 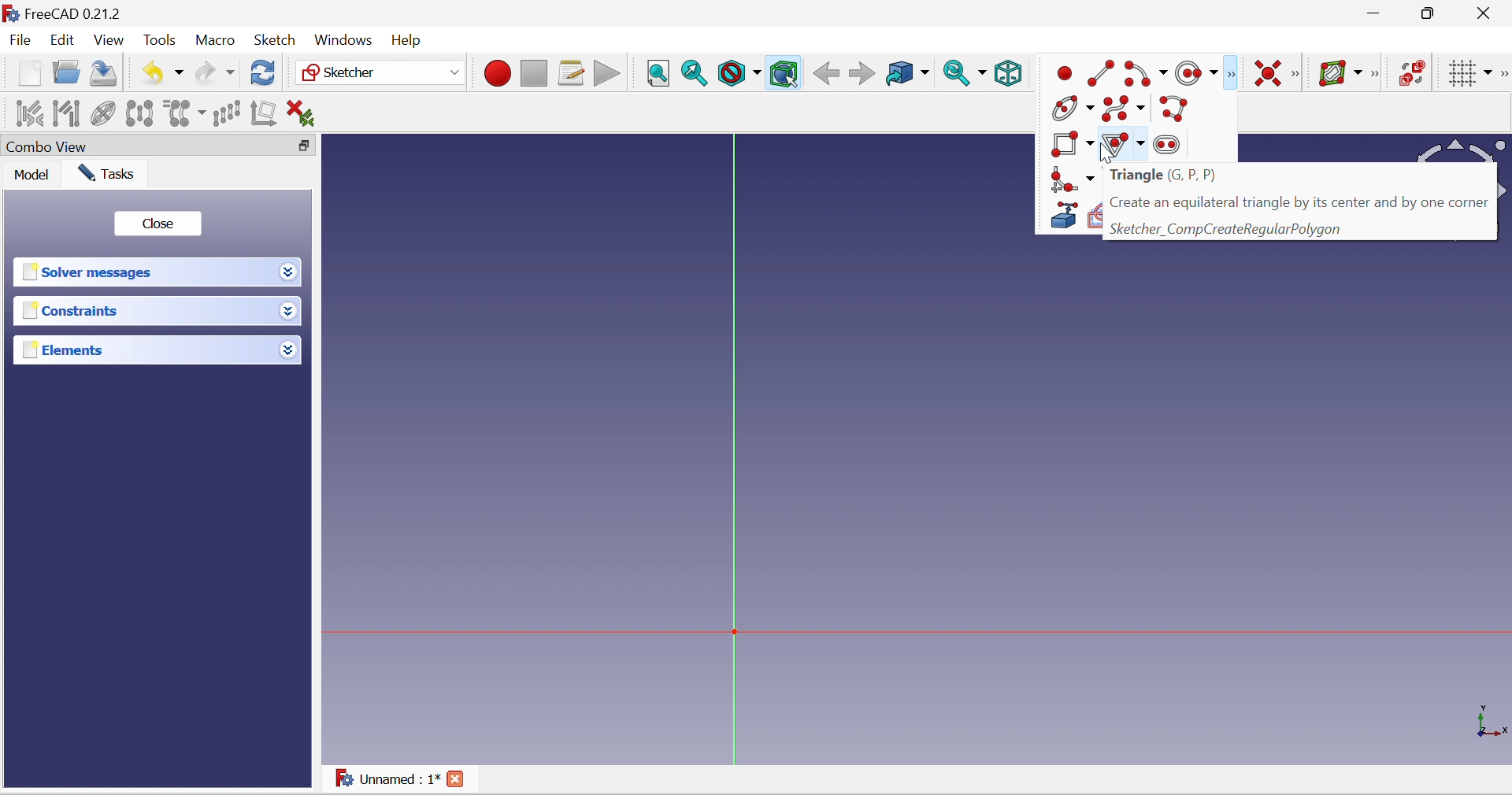 What do you see at coordinates (908, 74) in the screenshot?
I see `Go to linked object` at bounding box center [908, 74].